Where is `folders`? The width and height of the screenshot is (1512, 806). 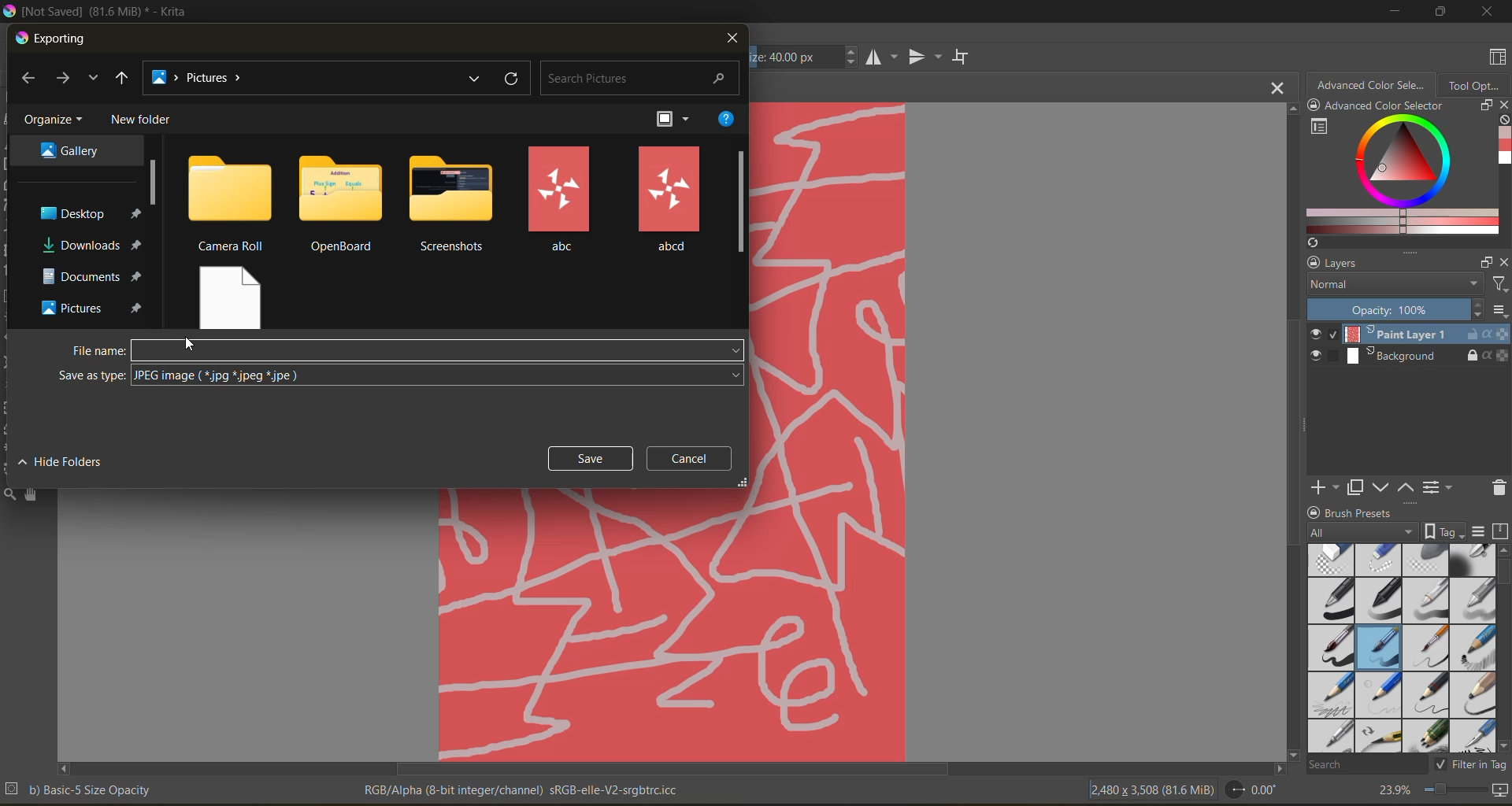
folders is located at coordinates (559, 200).